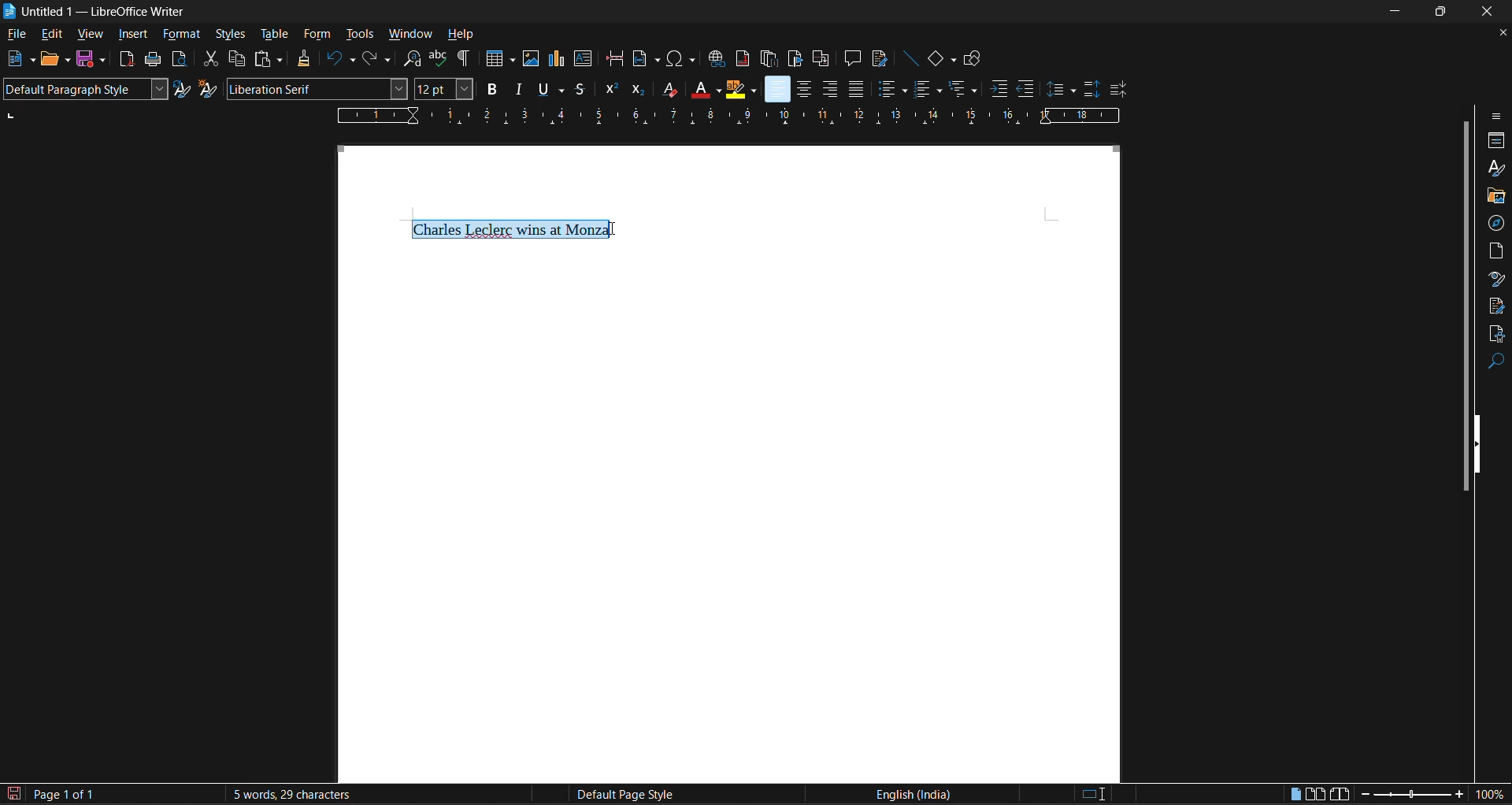 The image size is (1512, 805). What do you see at coordinates (1497, 306) in the screenshot?
I see `manage changes` at bounding box center [1497, 306].